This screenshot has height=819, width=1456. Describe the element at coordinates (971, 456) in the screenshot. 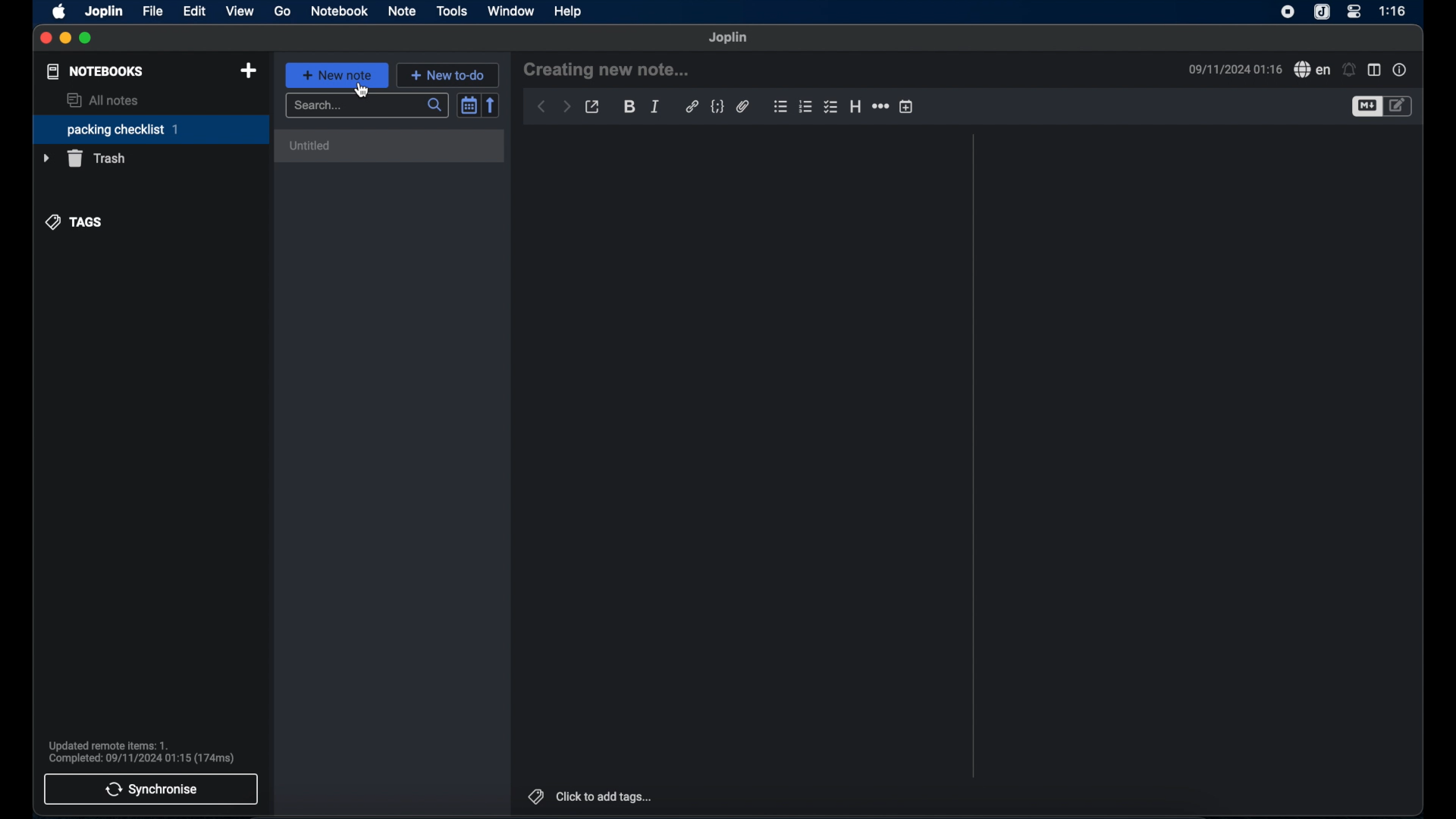

I see `divider` at that location.